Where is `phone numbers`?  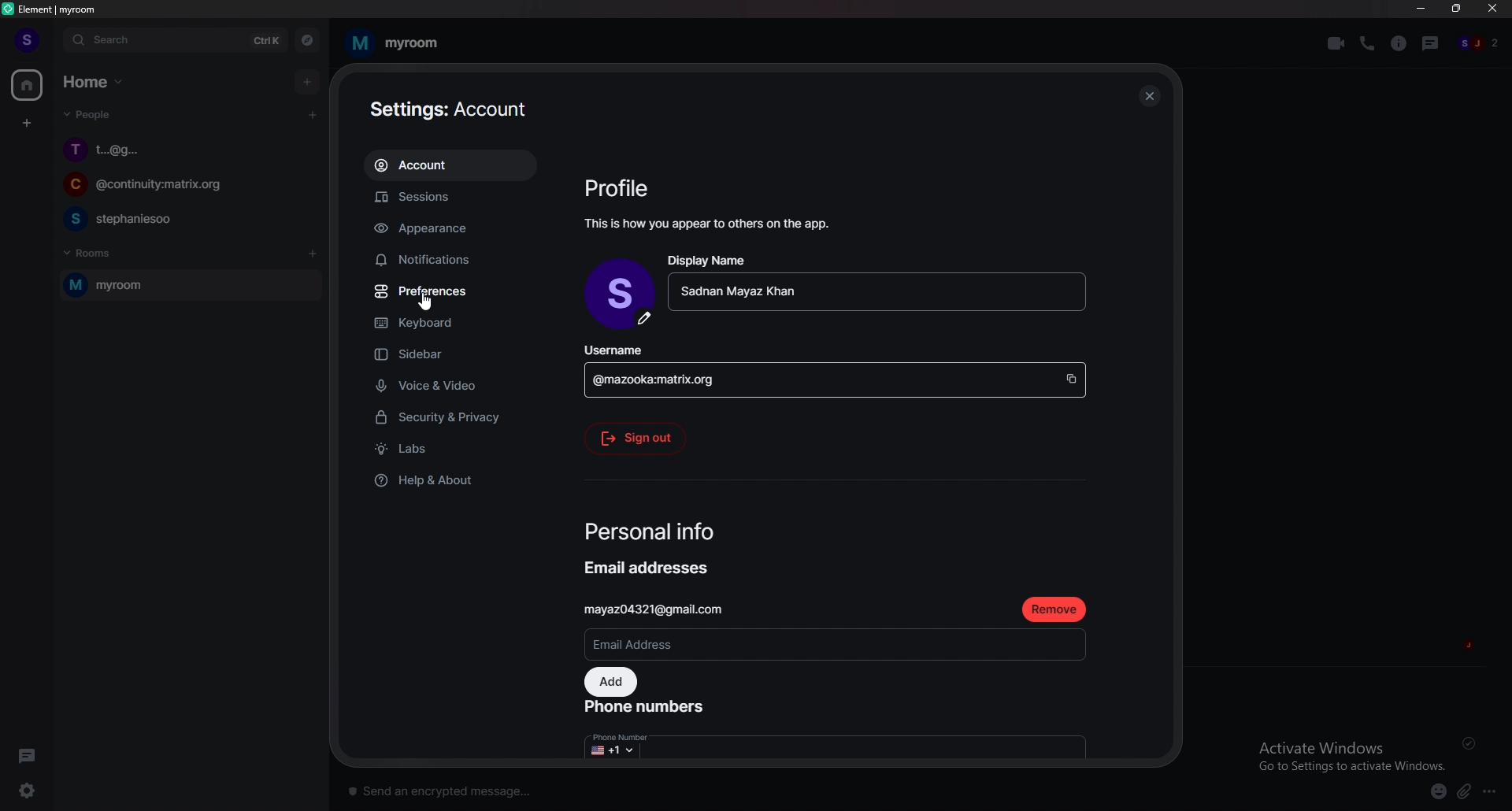 phone numbers is located at coordinates (647, 709).